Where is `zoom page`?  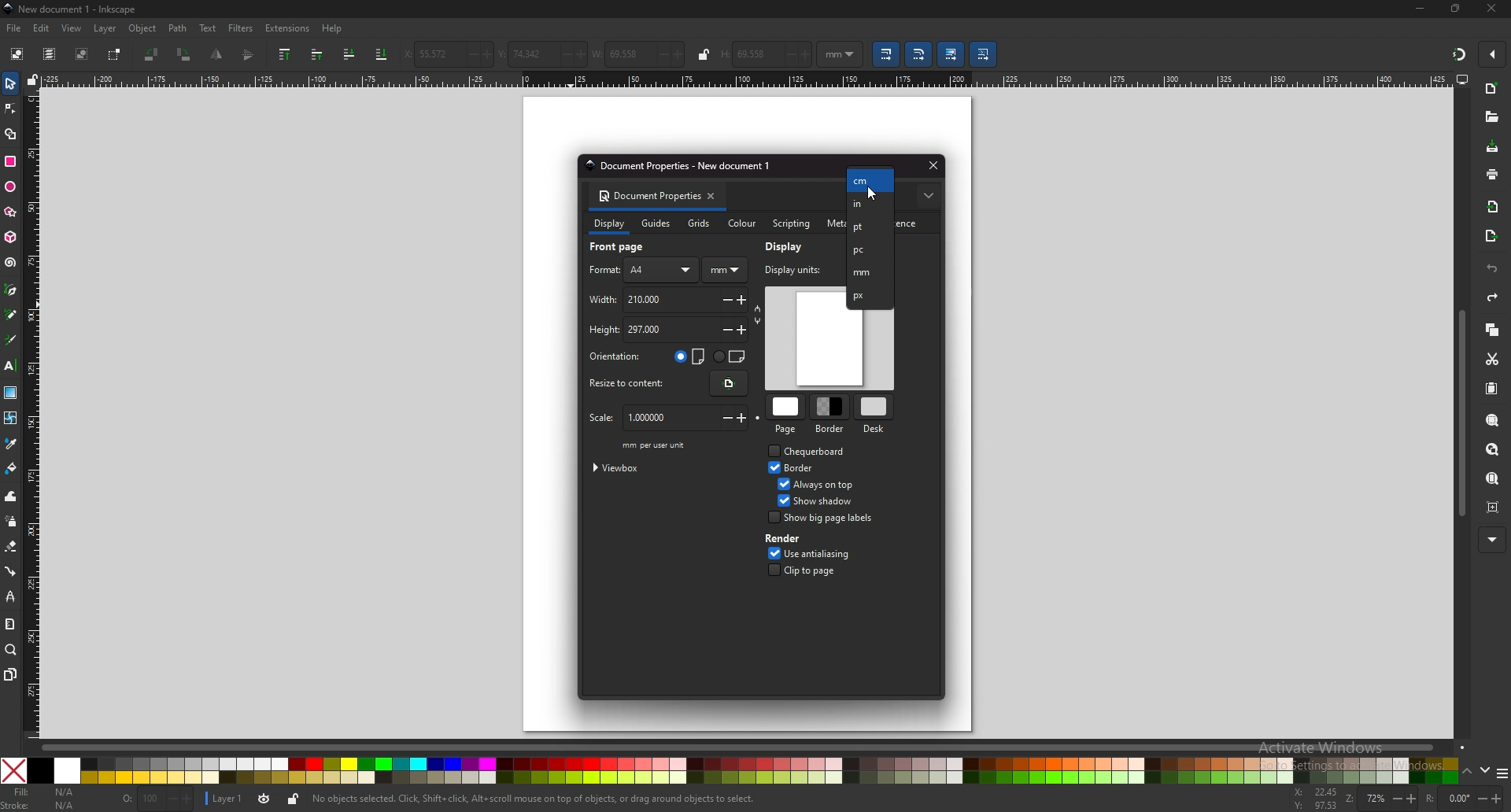
zoom page is located at coordinates (1493, 478).